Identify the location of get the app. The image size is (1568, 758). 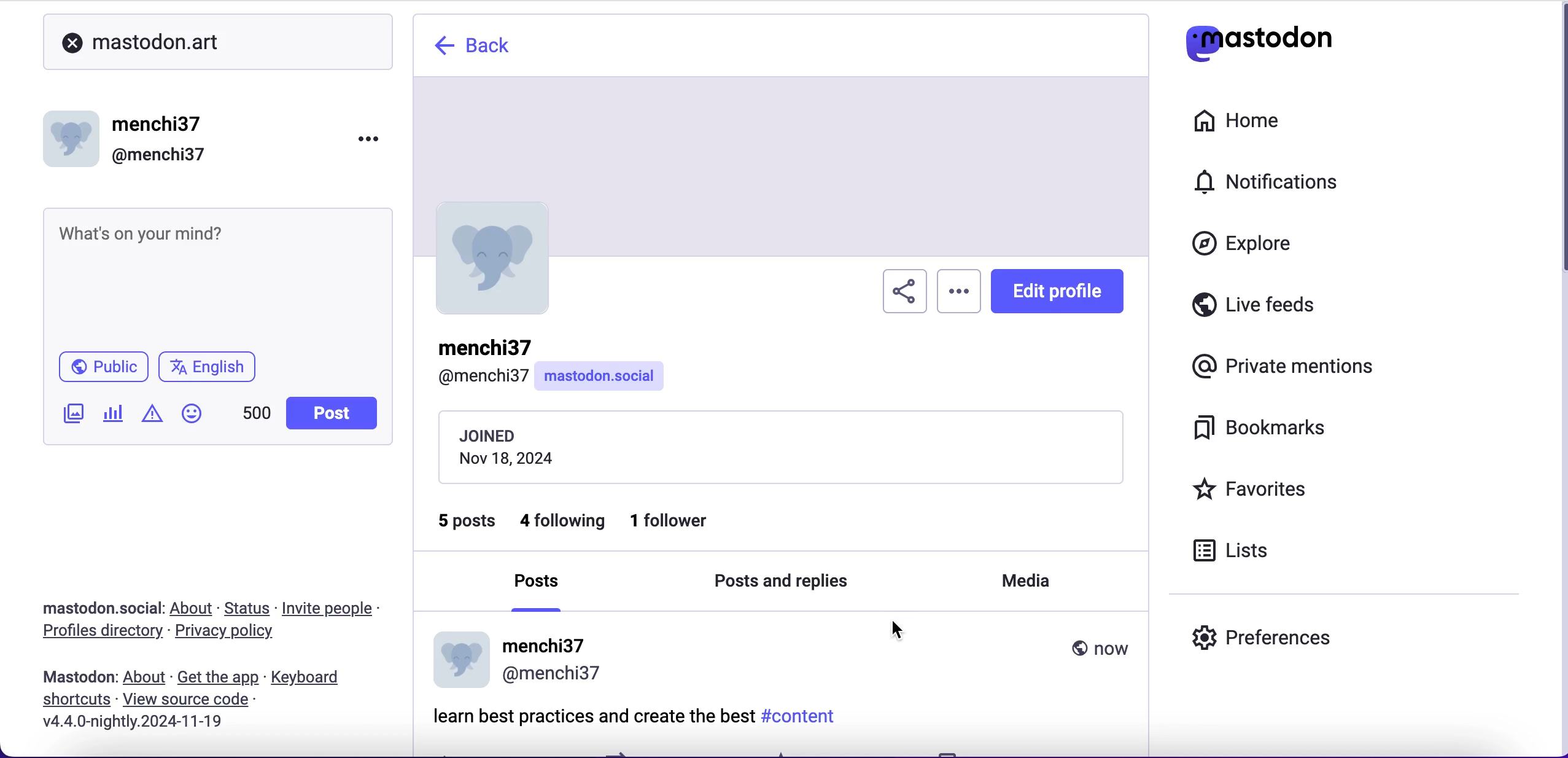
(219, 678).